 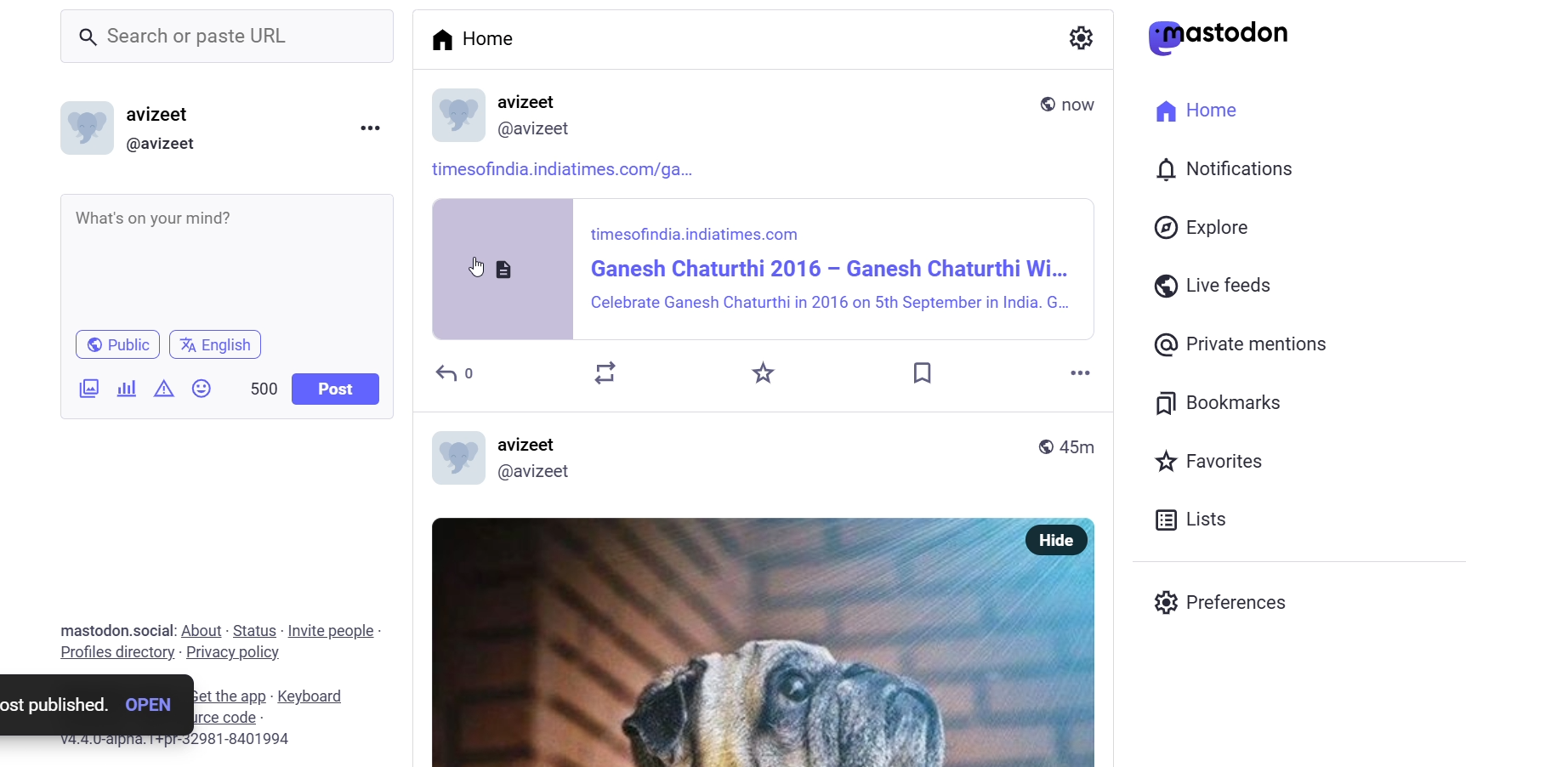 I want to click on _ Search or paste URL, so click(x=203, y=35).